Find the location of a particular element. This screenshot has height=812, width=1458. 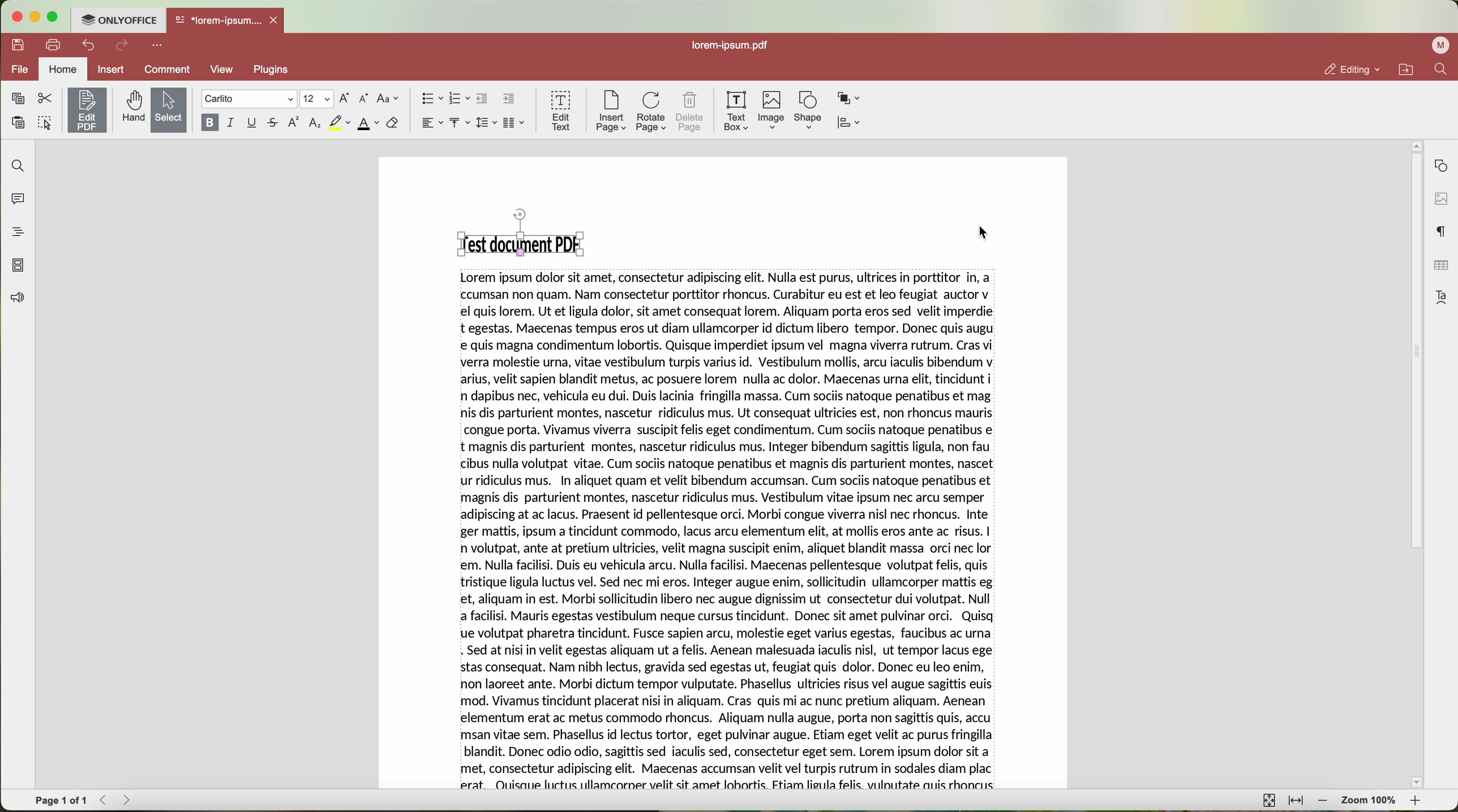

arrange shape is located at coordinates (850, 99).